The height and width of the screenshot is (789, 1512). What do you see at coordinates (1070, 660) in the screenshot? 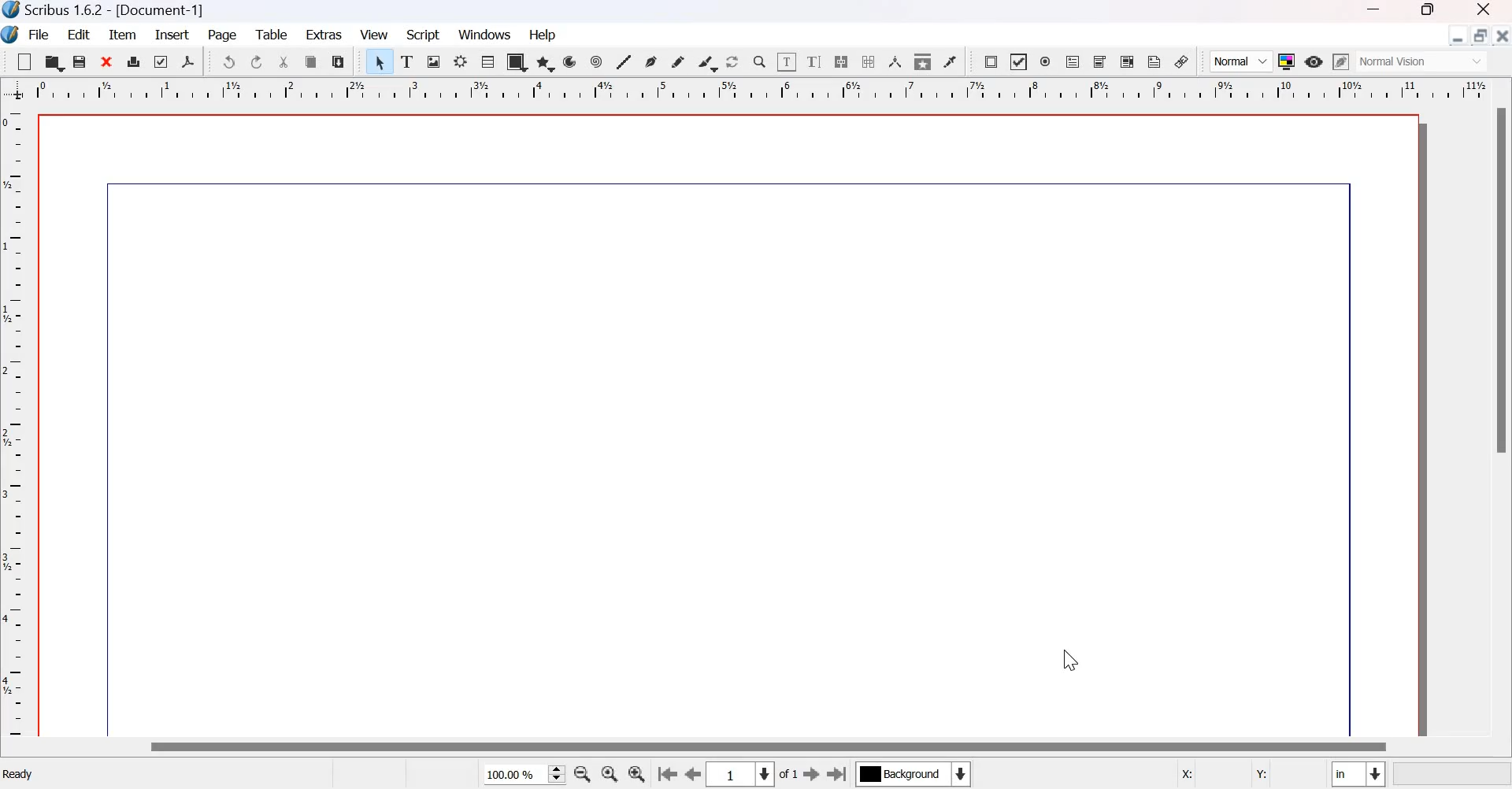
I see `cursor` at bounding box center [1070, 660].